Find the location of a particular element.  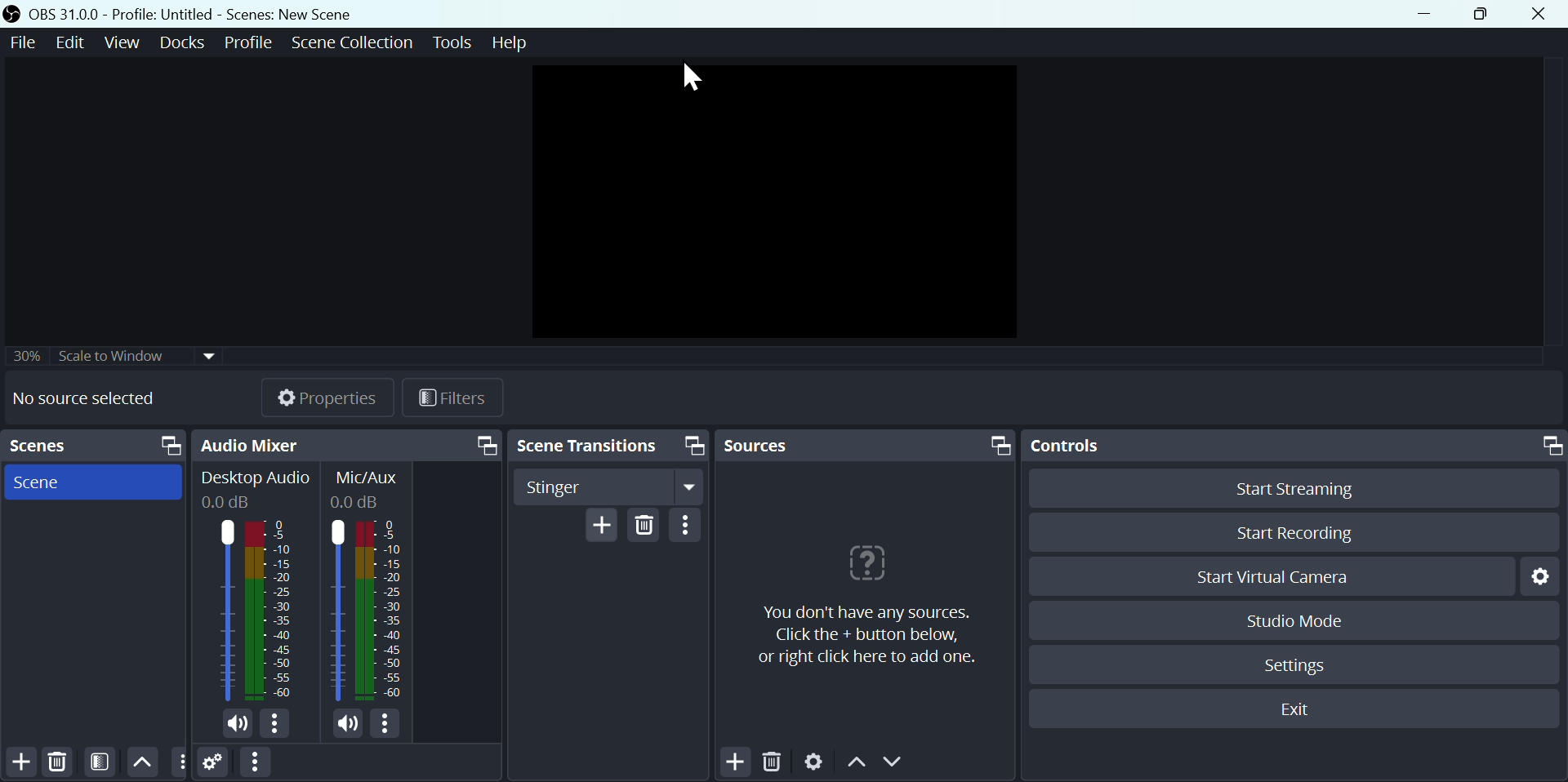

more option is located at coordinates (180, 762).